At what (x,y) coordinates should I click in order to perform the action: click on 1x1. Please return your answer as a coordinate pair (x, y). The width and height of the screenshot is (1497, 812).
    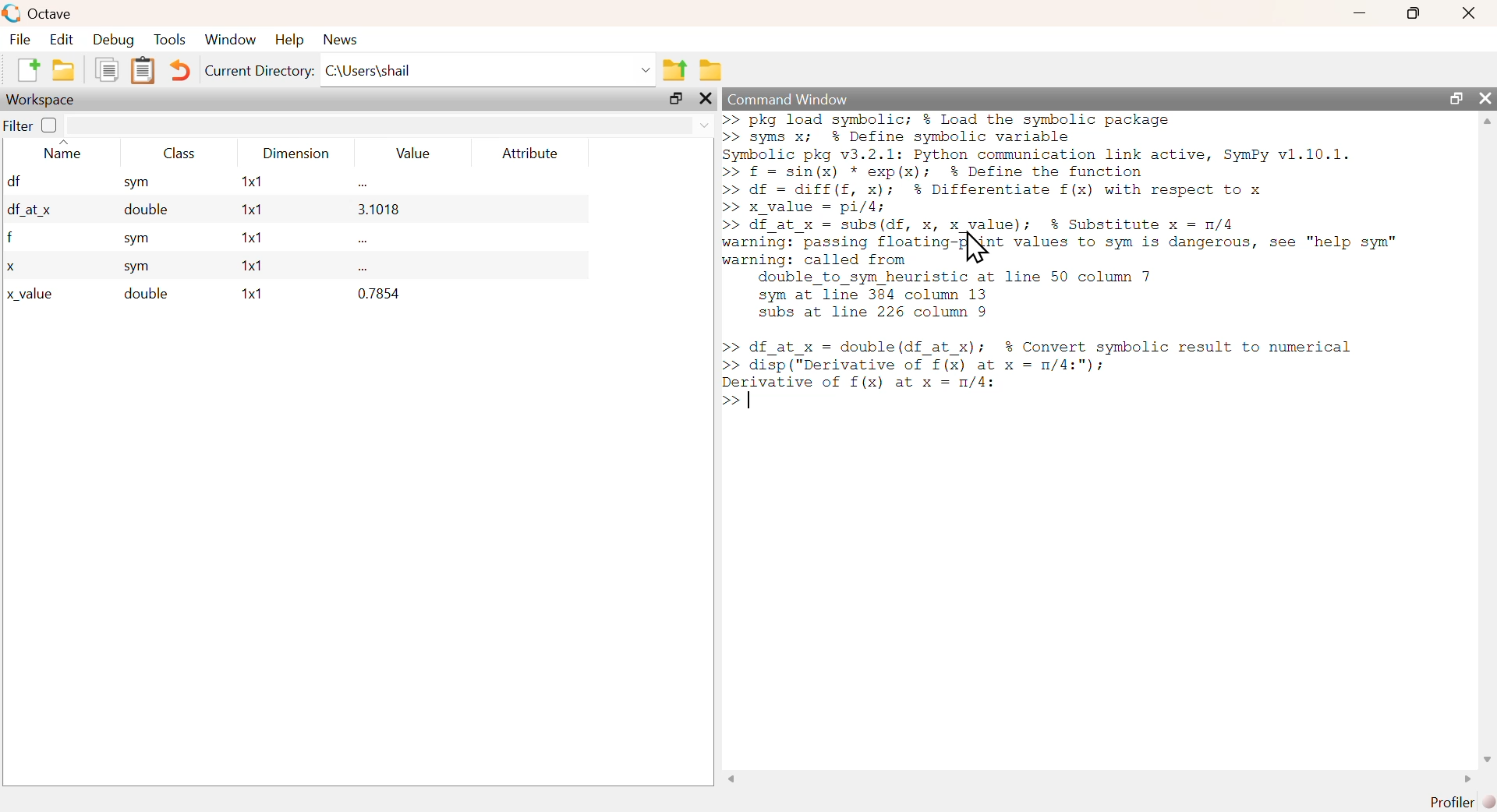
    Looking at the image, I should click on (246, 237).